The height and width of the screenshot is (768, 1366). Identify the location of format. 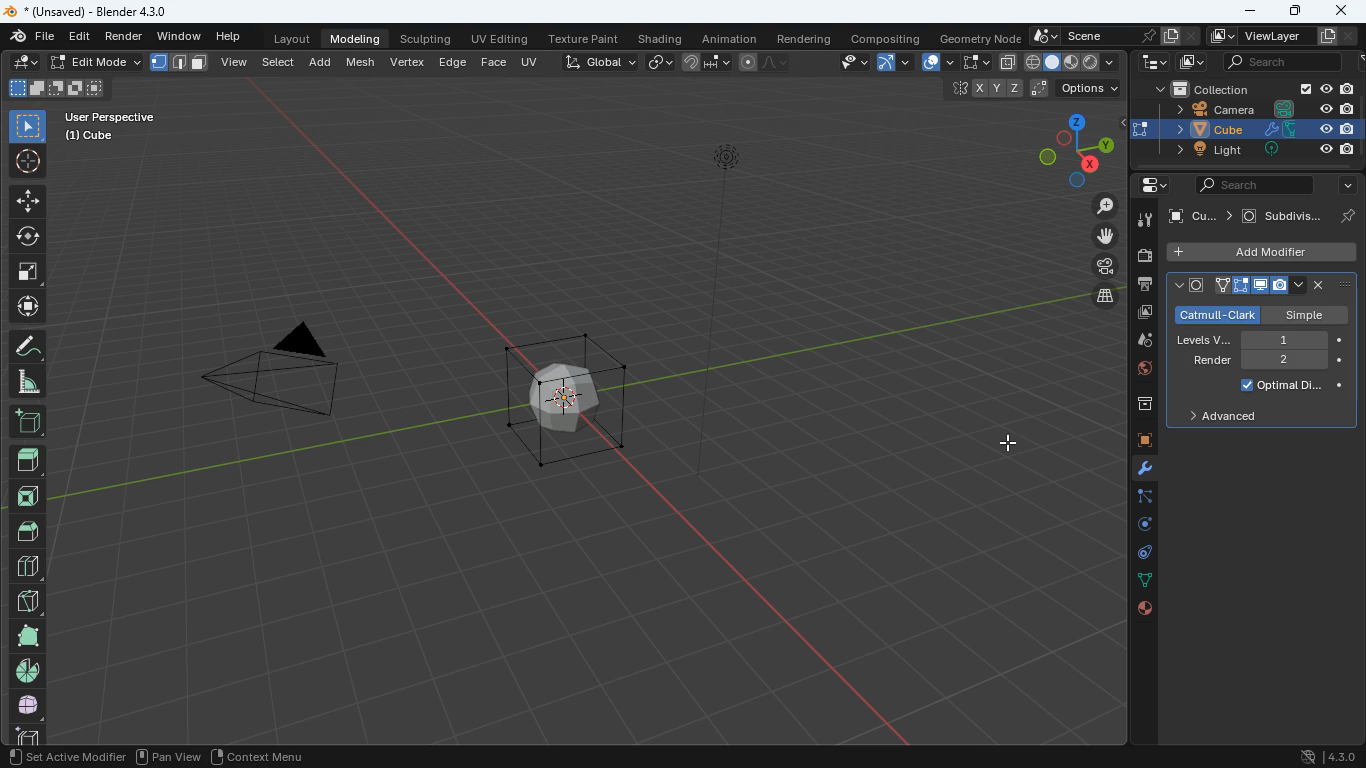
(181, 63).